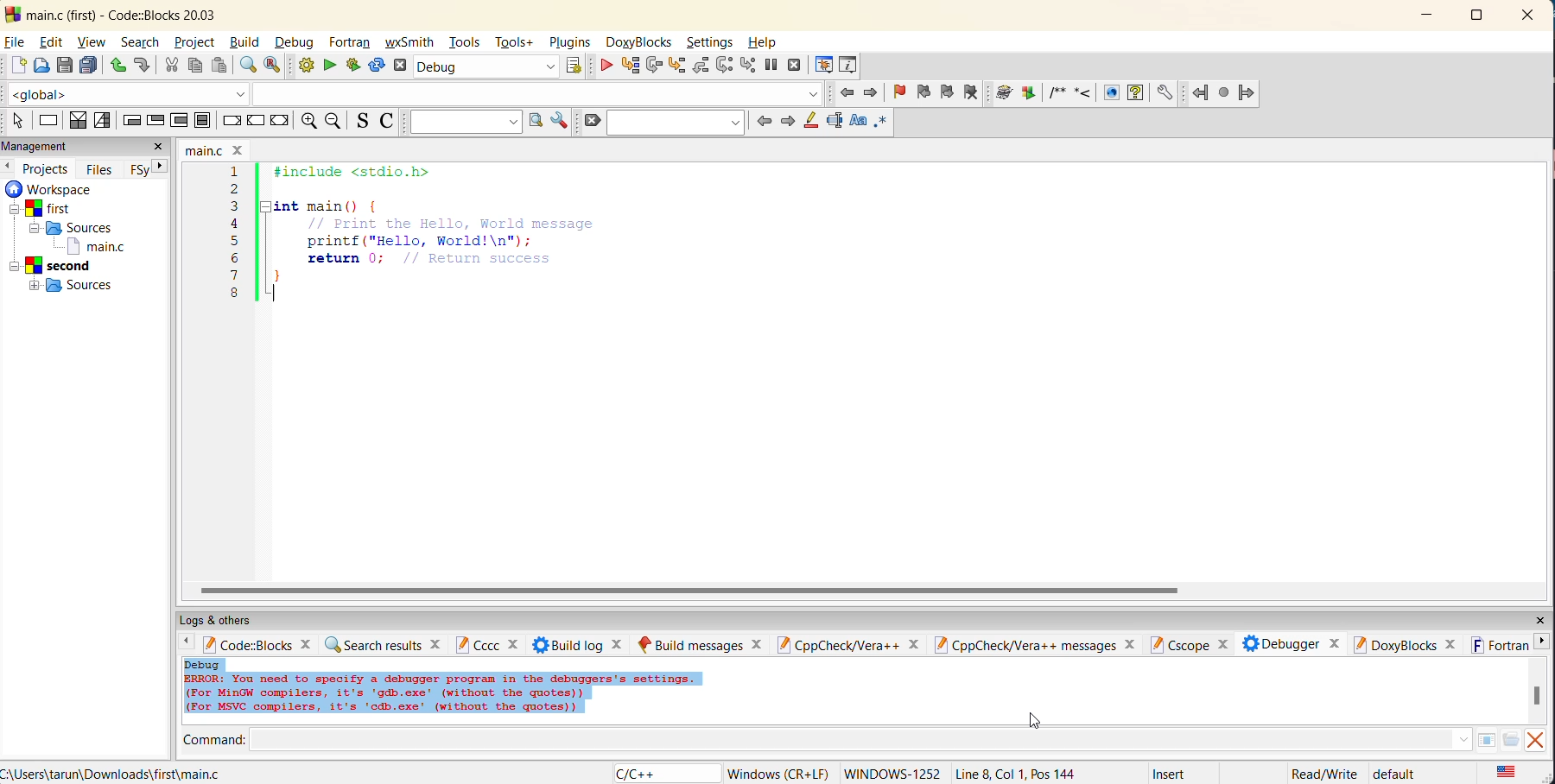 This screenshot has width=1555, height=784. What do you see at coordinates (772, 65) in the screenshot?
I see `break debugger` at bounding box center [772, 65].